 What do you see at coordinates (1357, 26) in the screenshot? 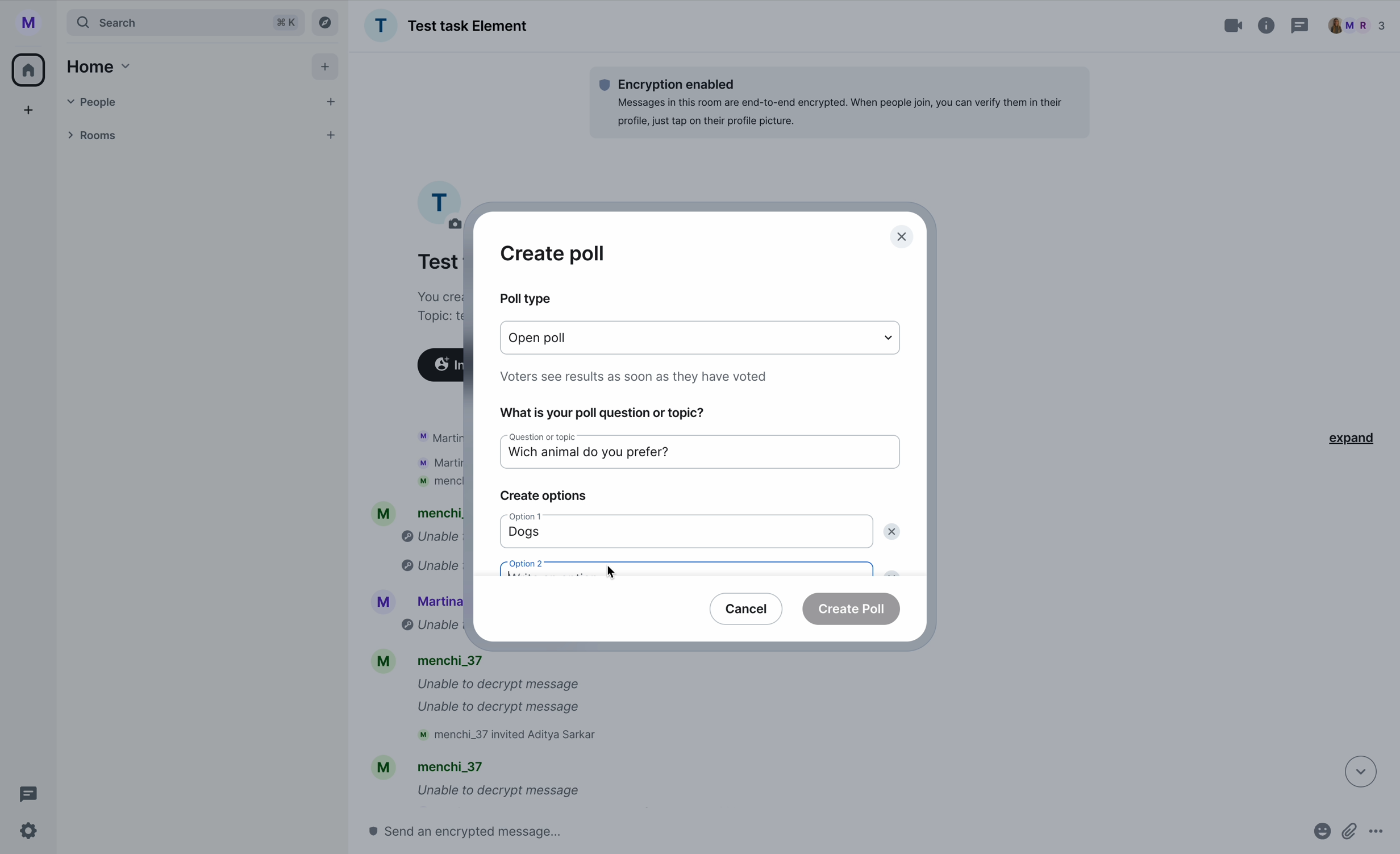
I see `people` at bounding box center [1357, 26].